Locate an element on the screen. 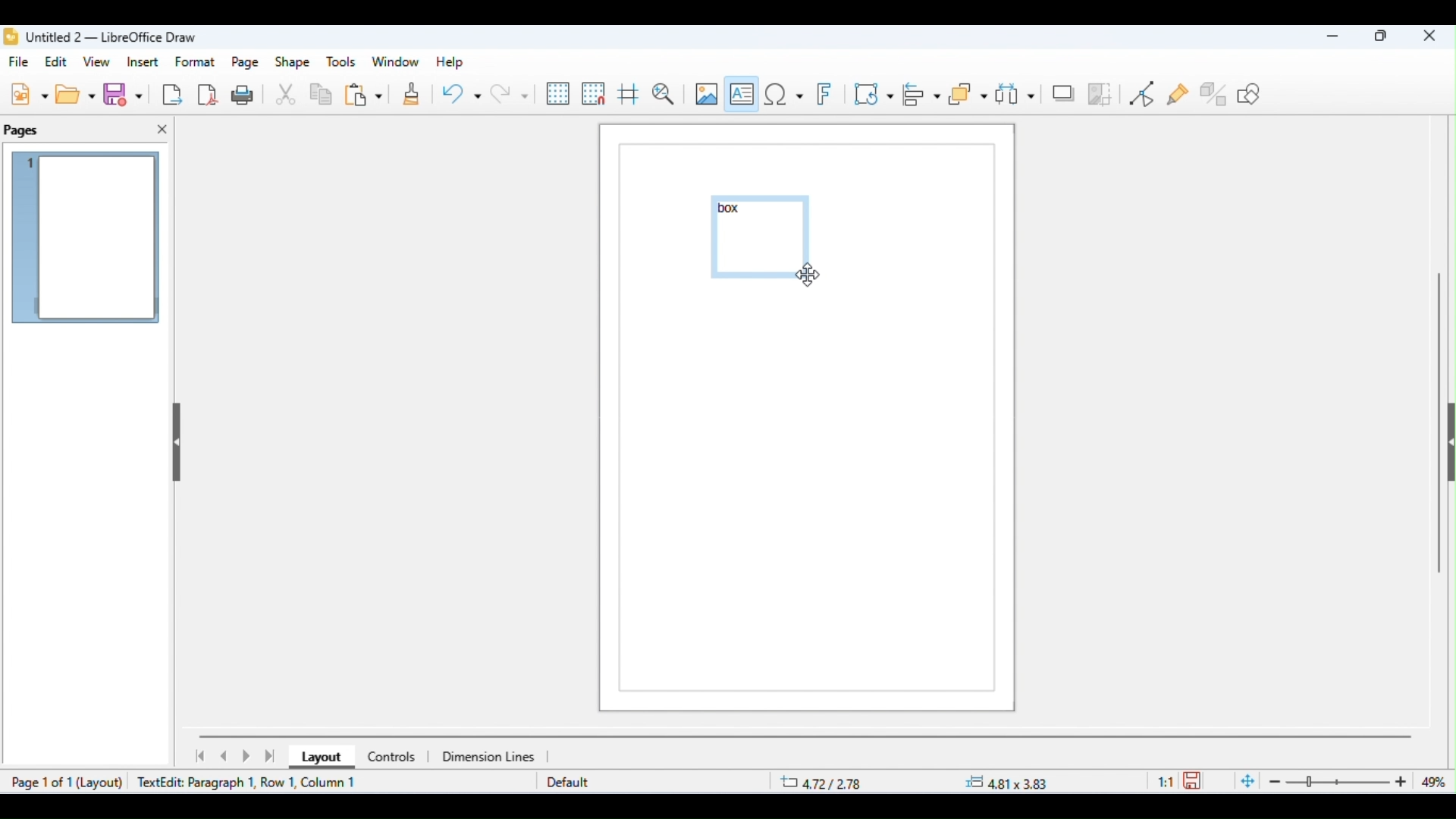 This screenshot has width=1456, height=819. copy is located at coordinates (322, 96).